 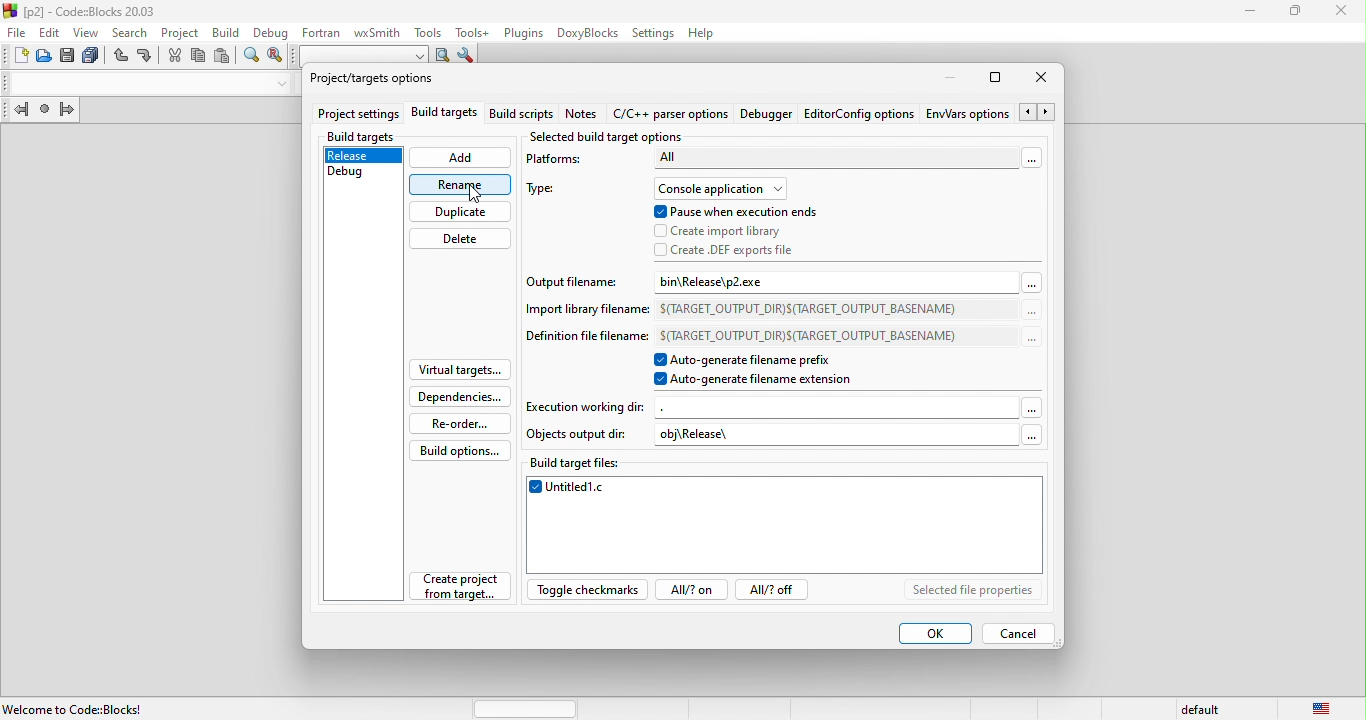 I want to click on selected file properties, so click(x=973, y=591).